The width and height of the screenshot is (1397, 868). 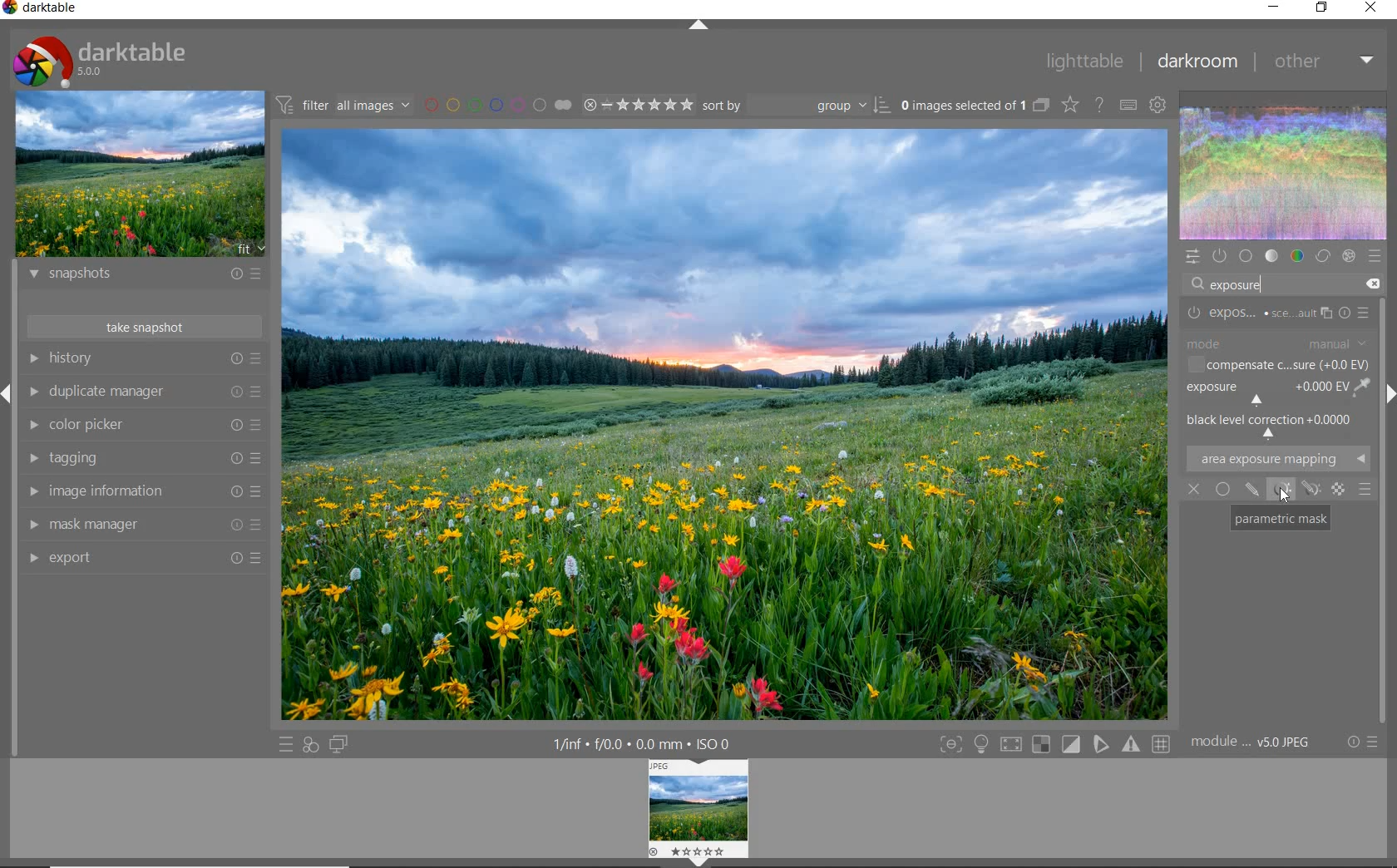 What do you see at coordinates (496, 105) in the screenshot?
I see `filter by image color` at bounding box center [496, 105].